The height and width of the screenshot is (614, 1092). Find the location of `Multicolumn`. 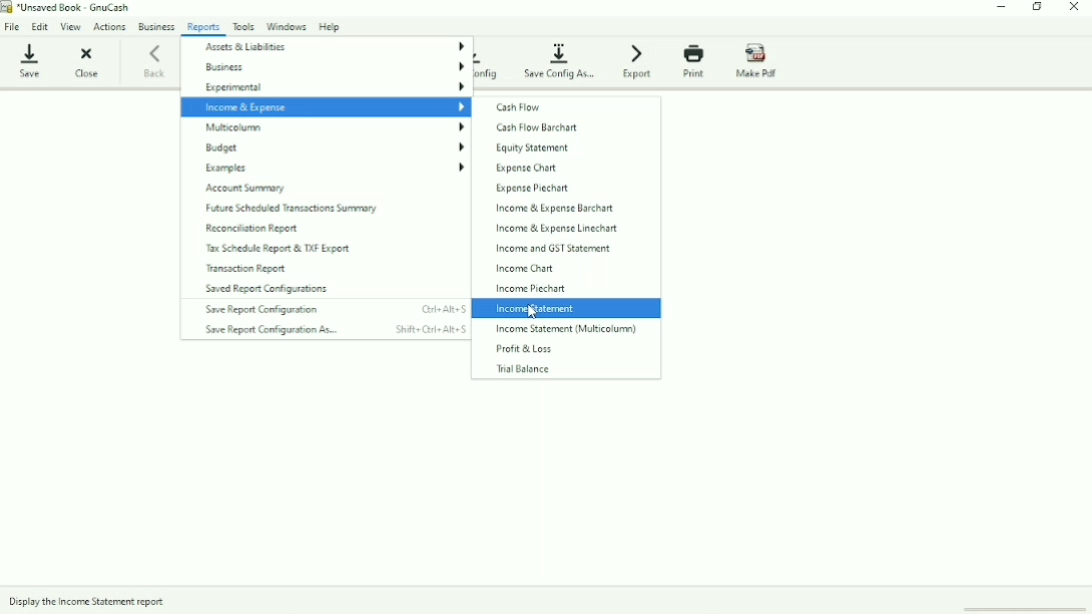

Multicolumn is located at coordinates (335, 128).